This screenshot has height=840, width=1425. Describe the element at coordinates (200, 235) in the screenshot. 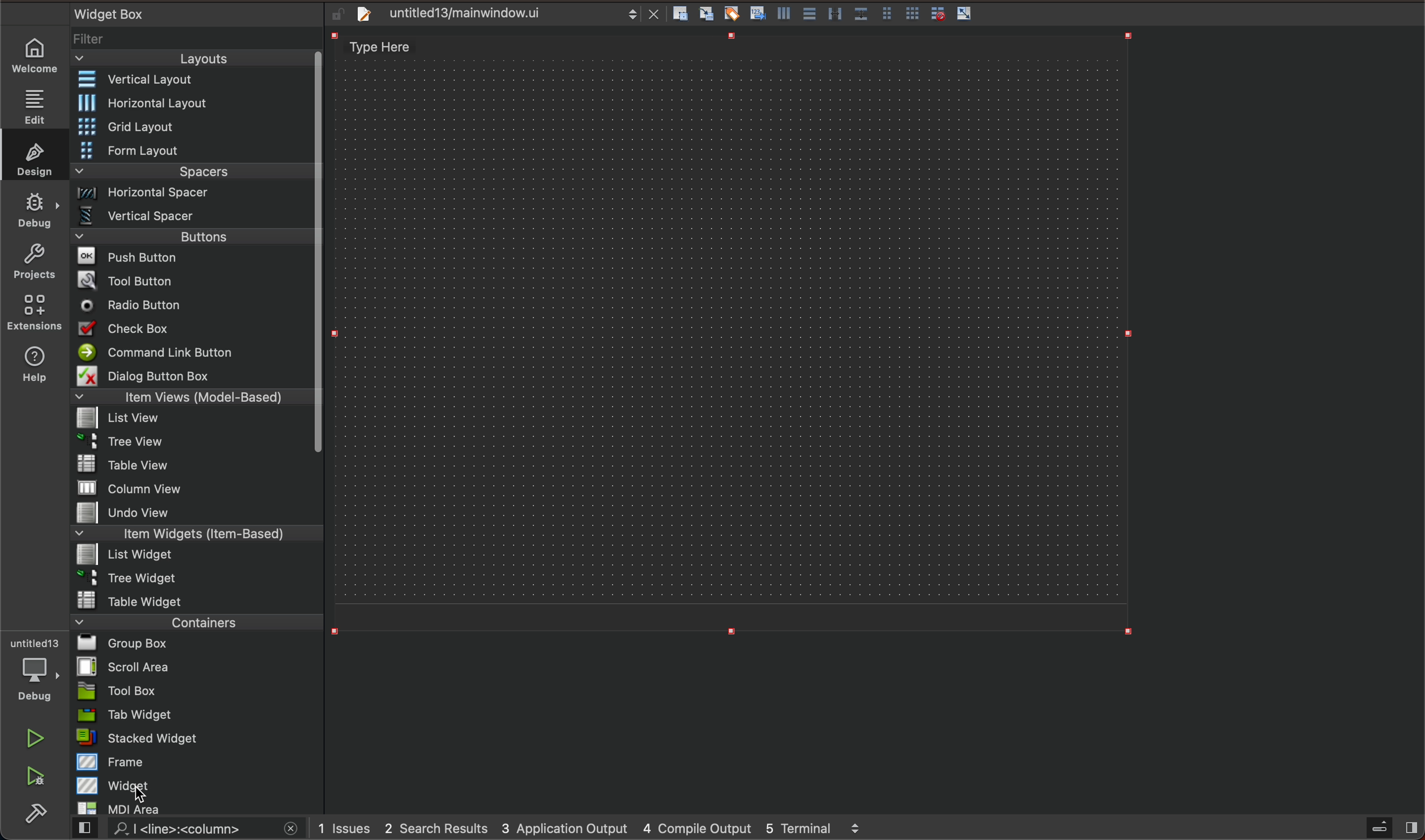

I see `buttons` at that location.